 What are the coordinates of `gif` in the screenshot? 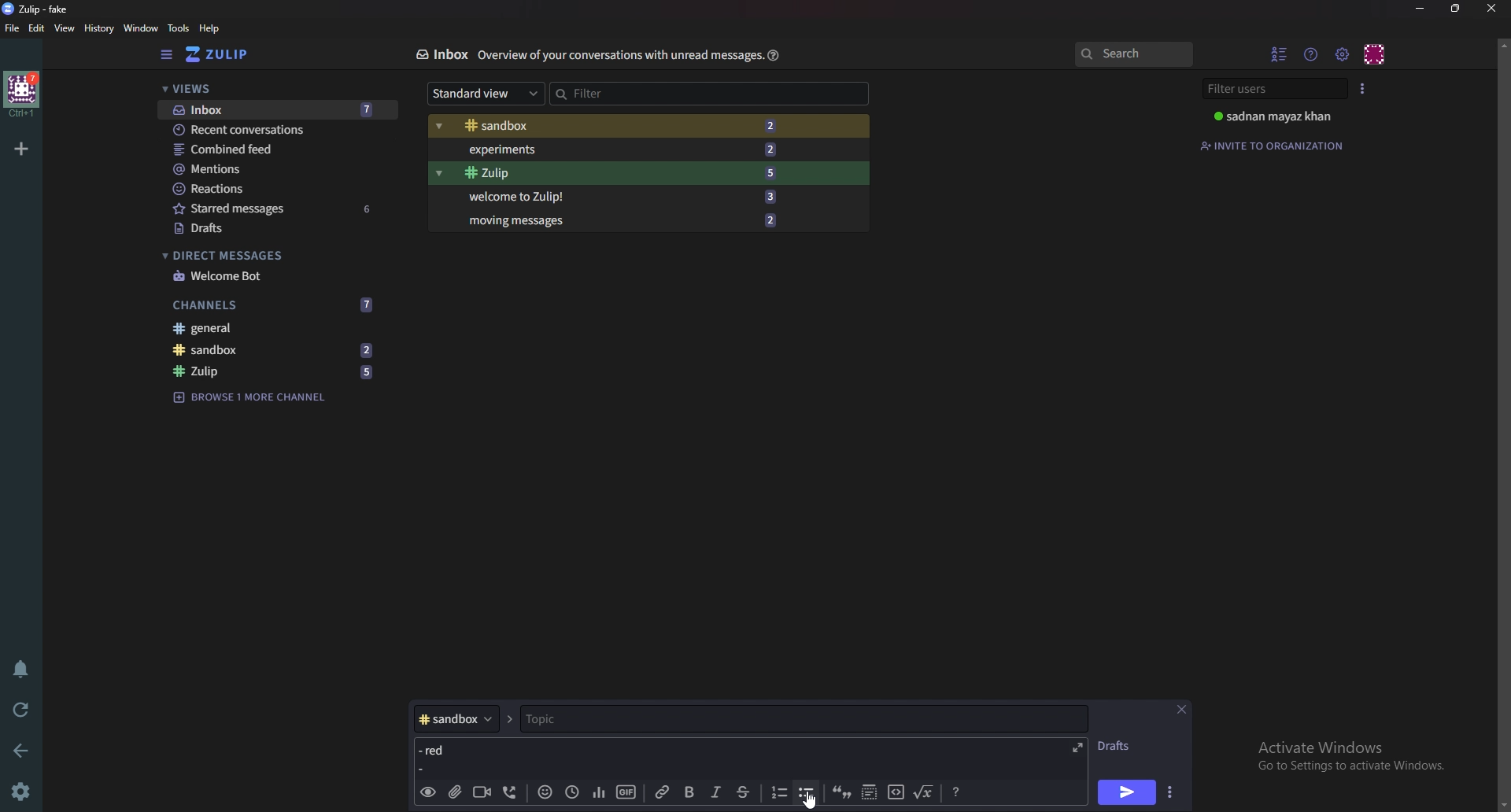 It's located at (626, 792).